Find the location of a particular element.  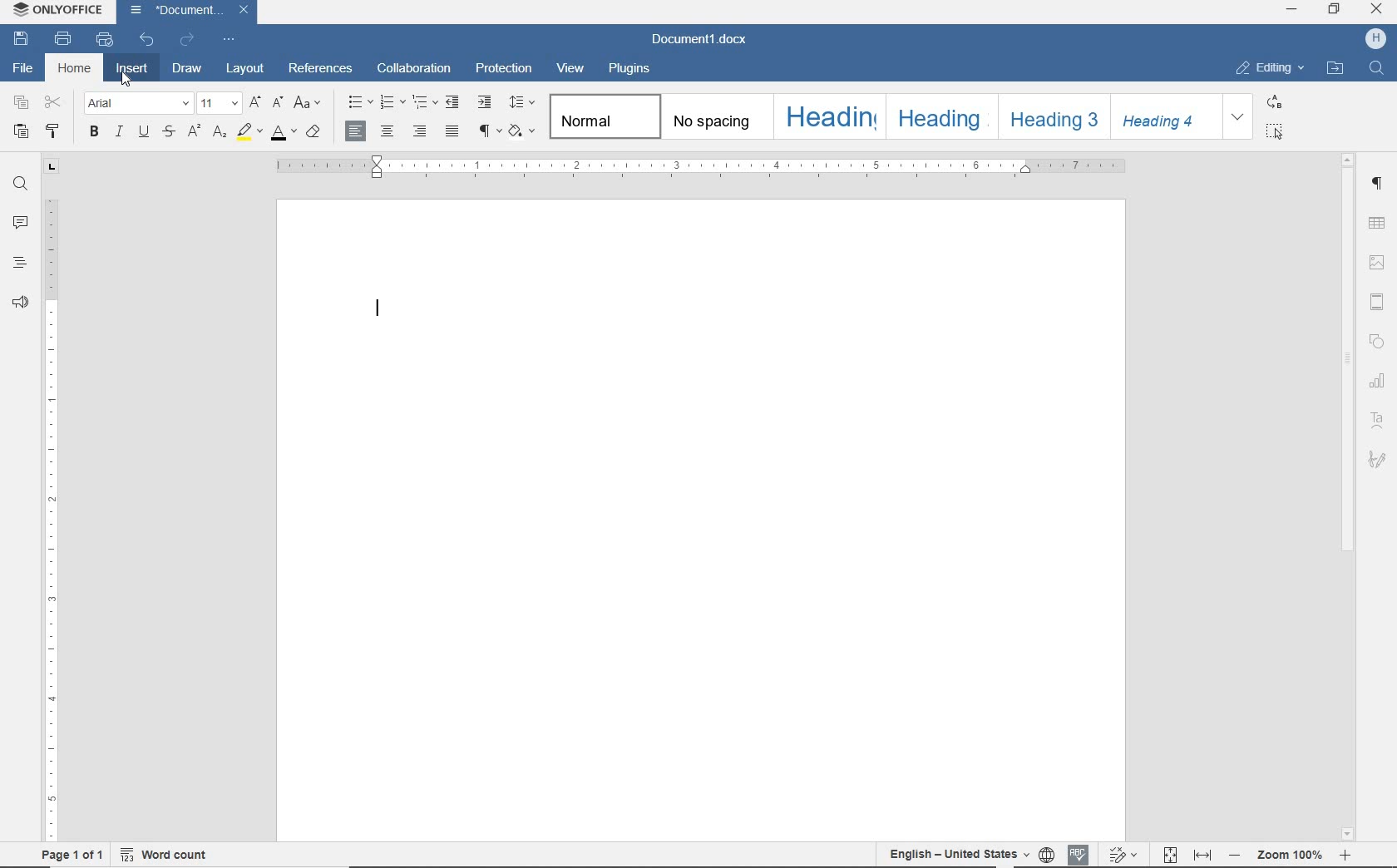

nonprinting characters is located at coordinates (487, 131).